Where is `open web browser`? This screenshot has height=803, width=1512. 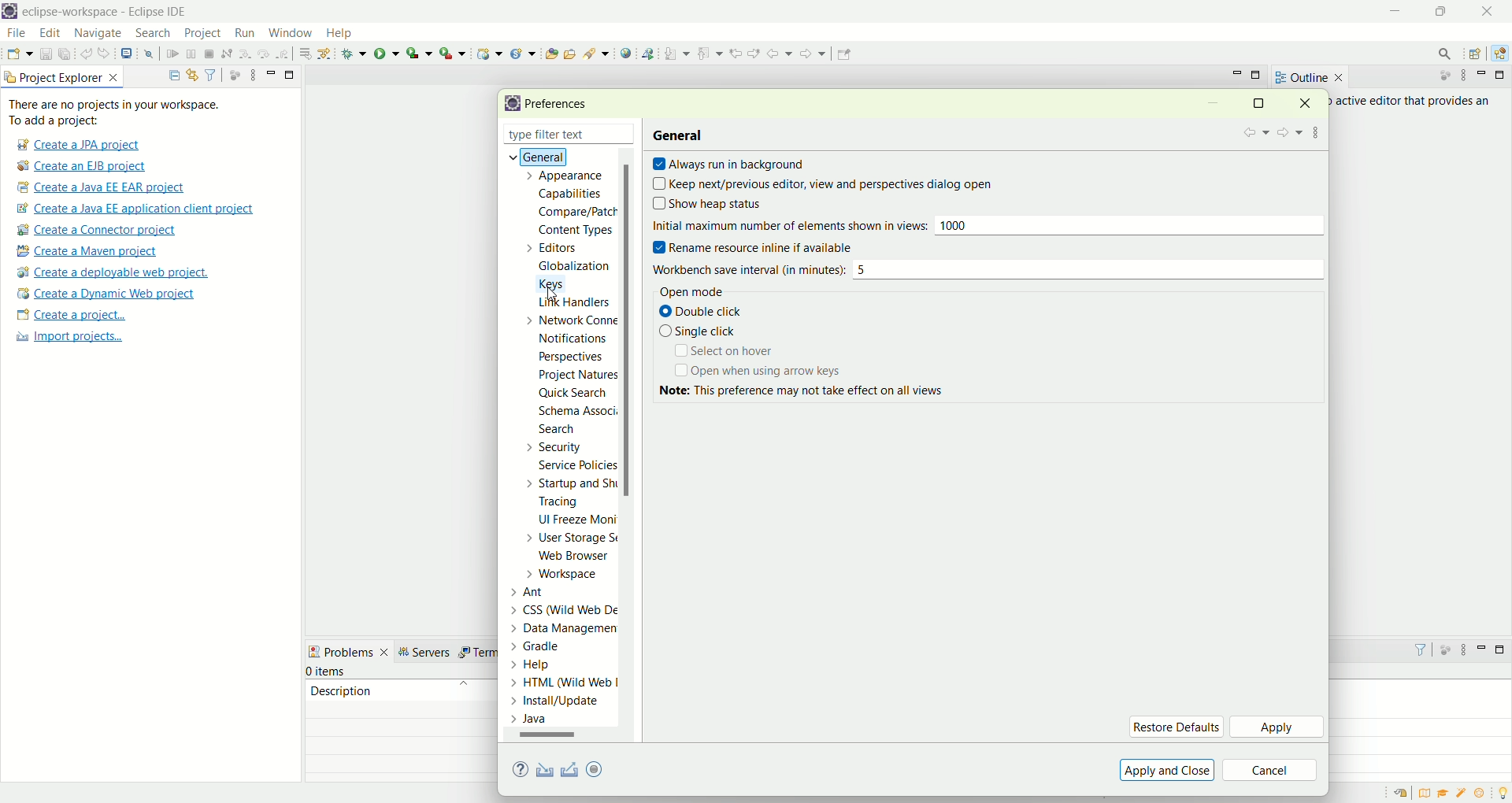 open web browser is located at coordinates (626, 54).